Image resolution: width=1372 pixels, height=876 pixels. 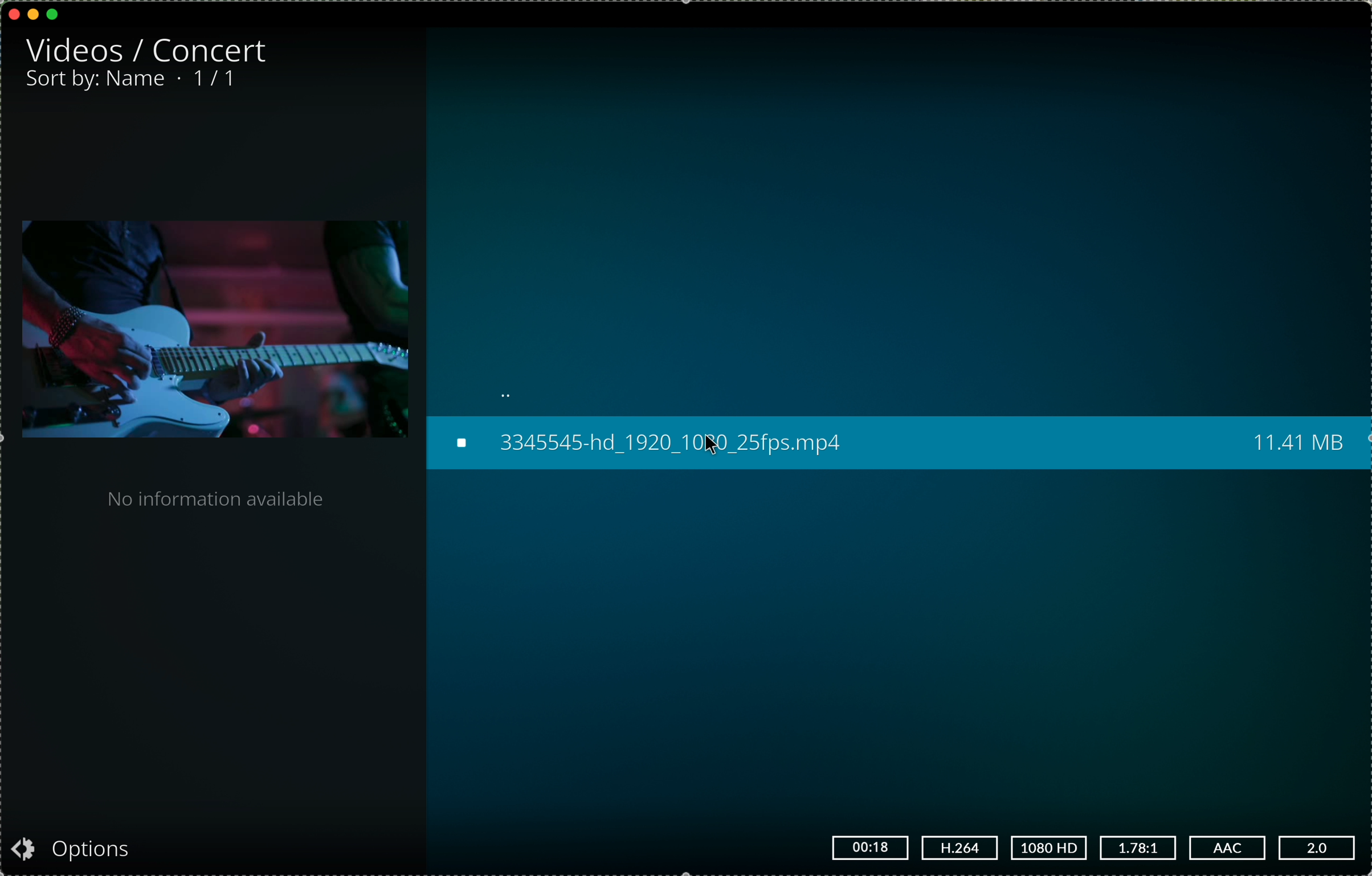 What do you see at coordinates (214, 326) in the screenshot?
I see `recording previw` at bounding box center [214, 326].